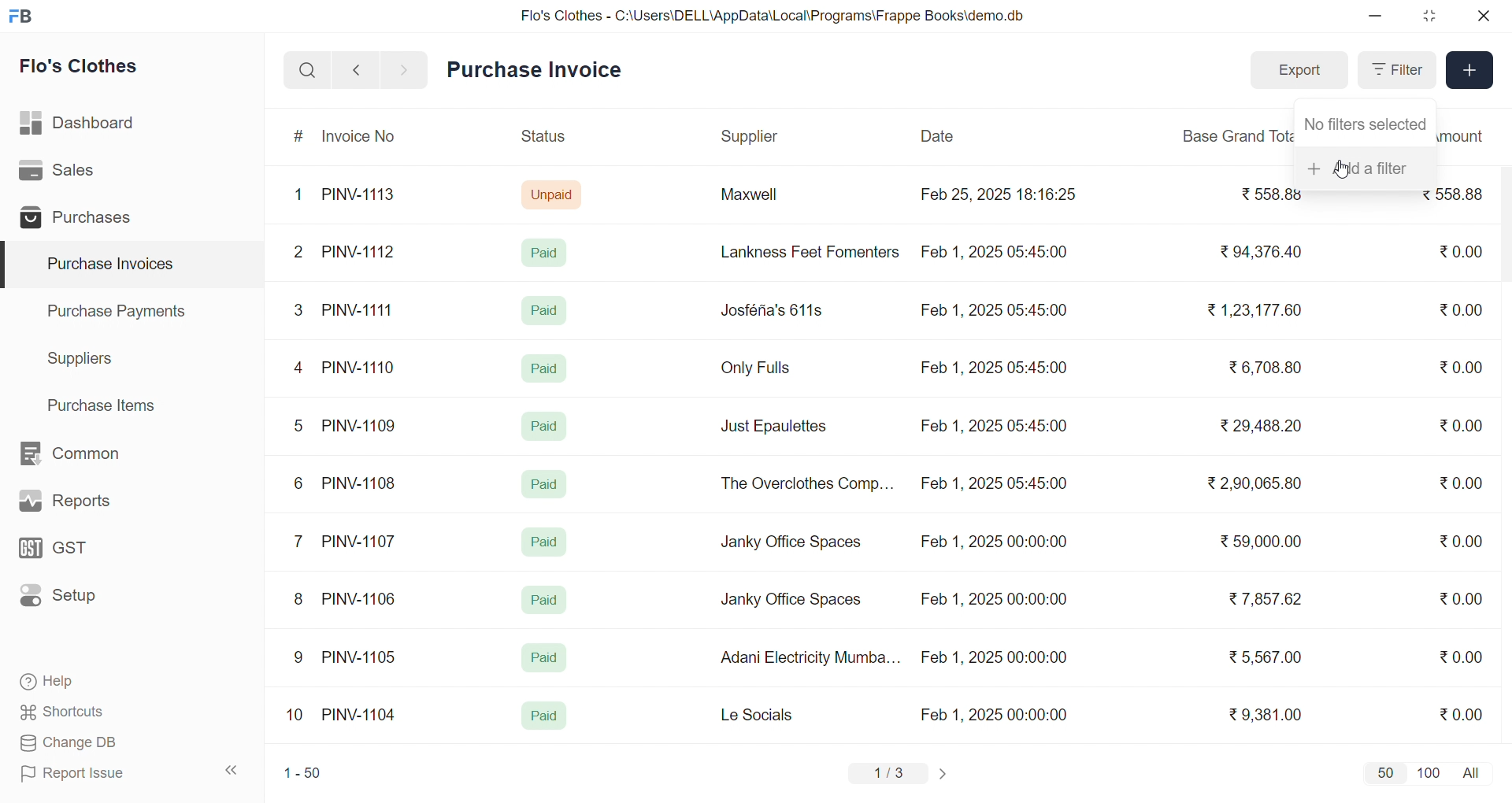 The width and height of the screenshot is (1512, 803). I want to click on ₹0.00, so click(1461, 598).